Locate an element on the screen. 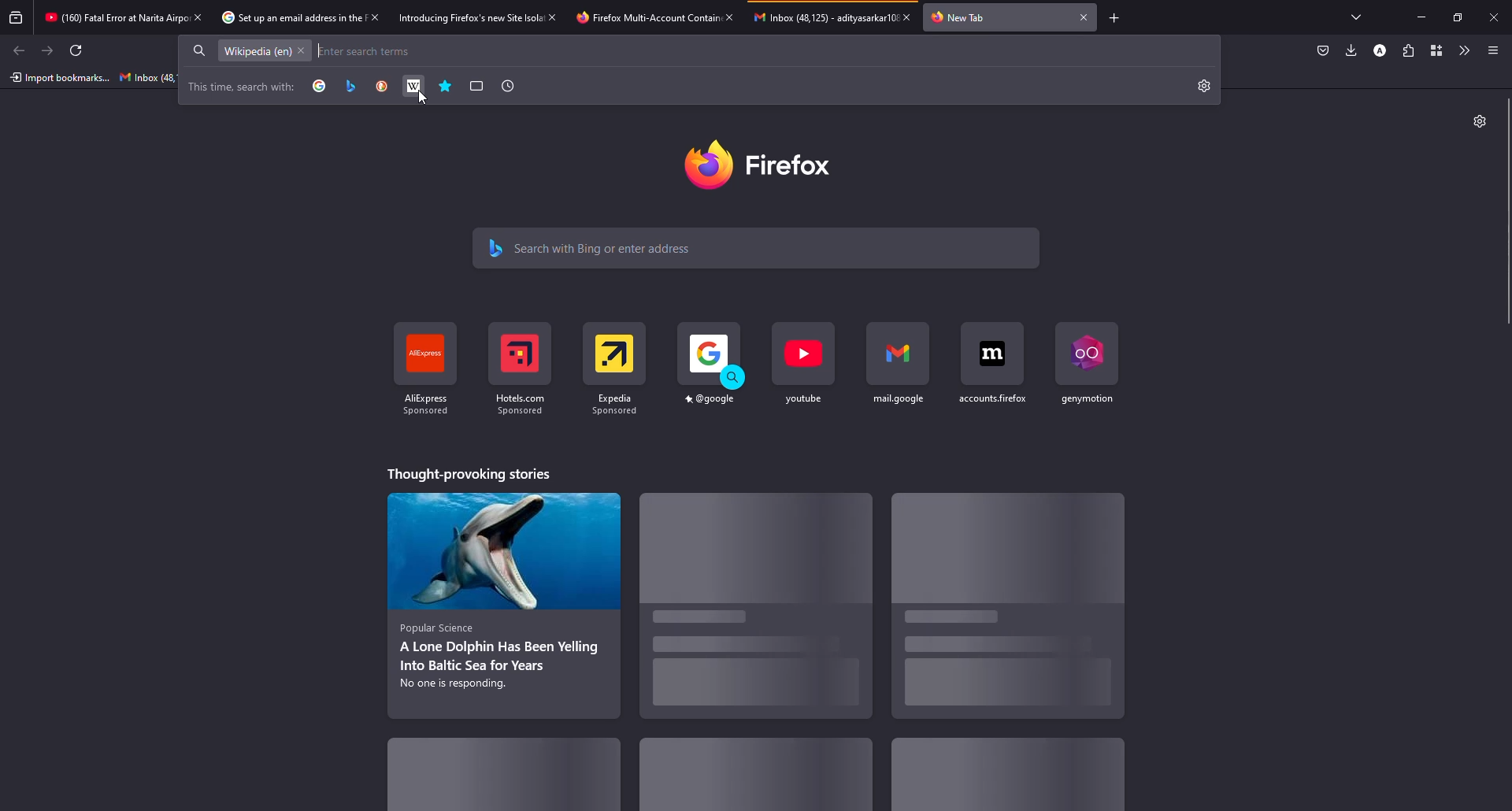 Image resolution: width=1512 pixels, height=811 pixels. settings is located at coordinates (1205, 87).